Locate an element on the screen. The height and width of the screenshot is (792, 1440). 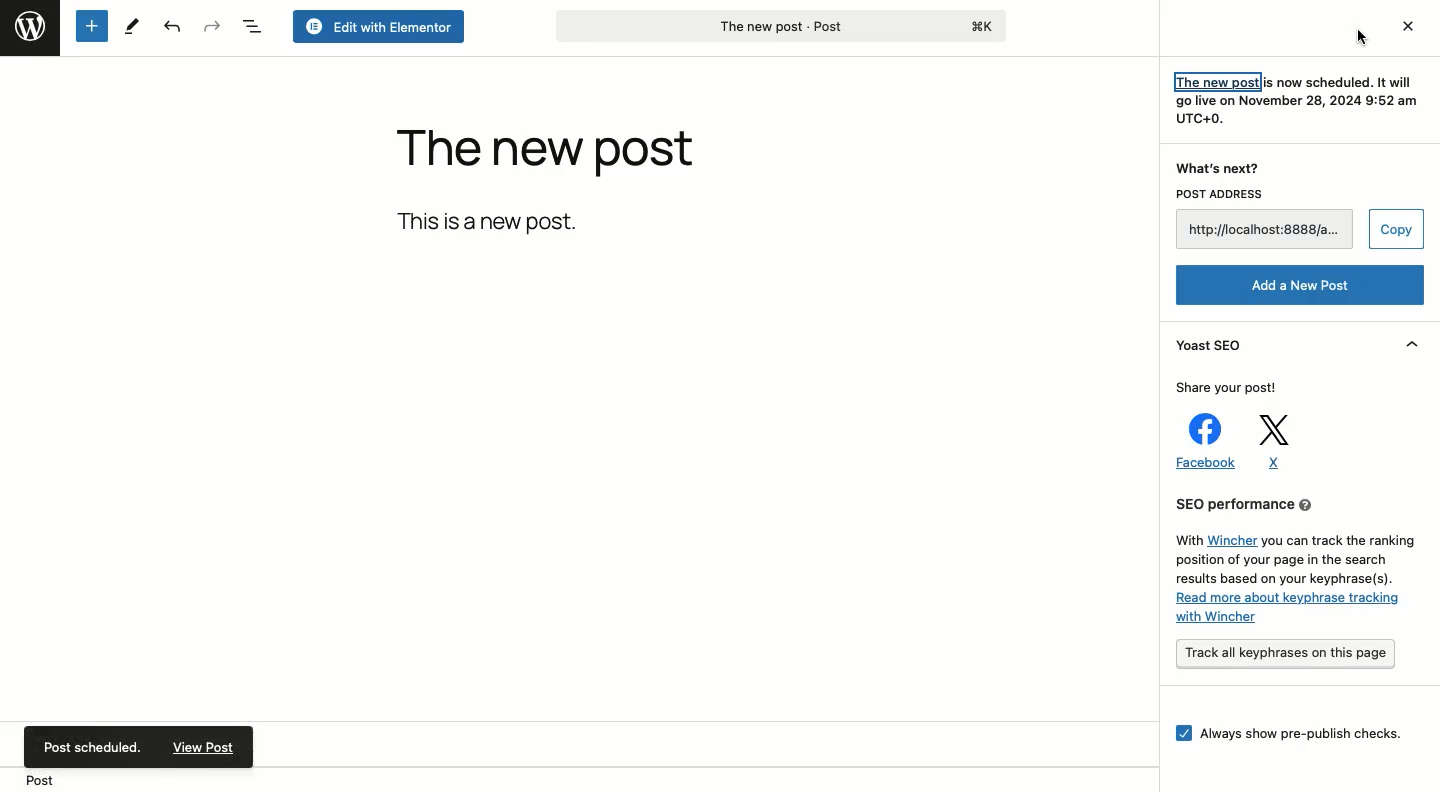
Read more about keyphrase tracking
with Wincher is located at coordinates (1295, 612).